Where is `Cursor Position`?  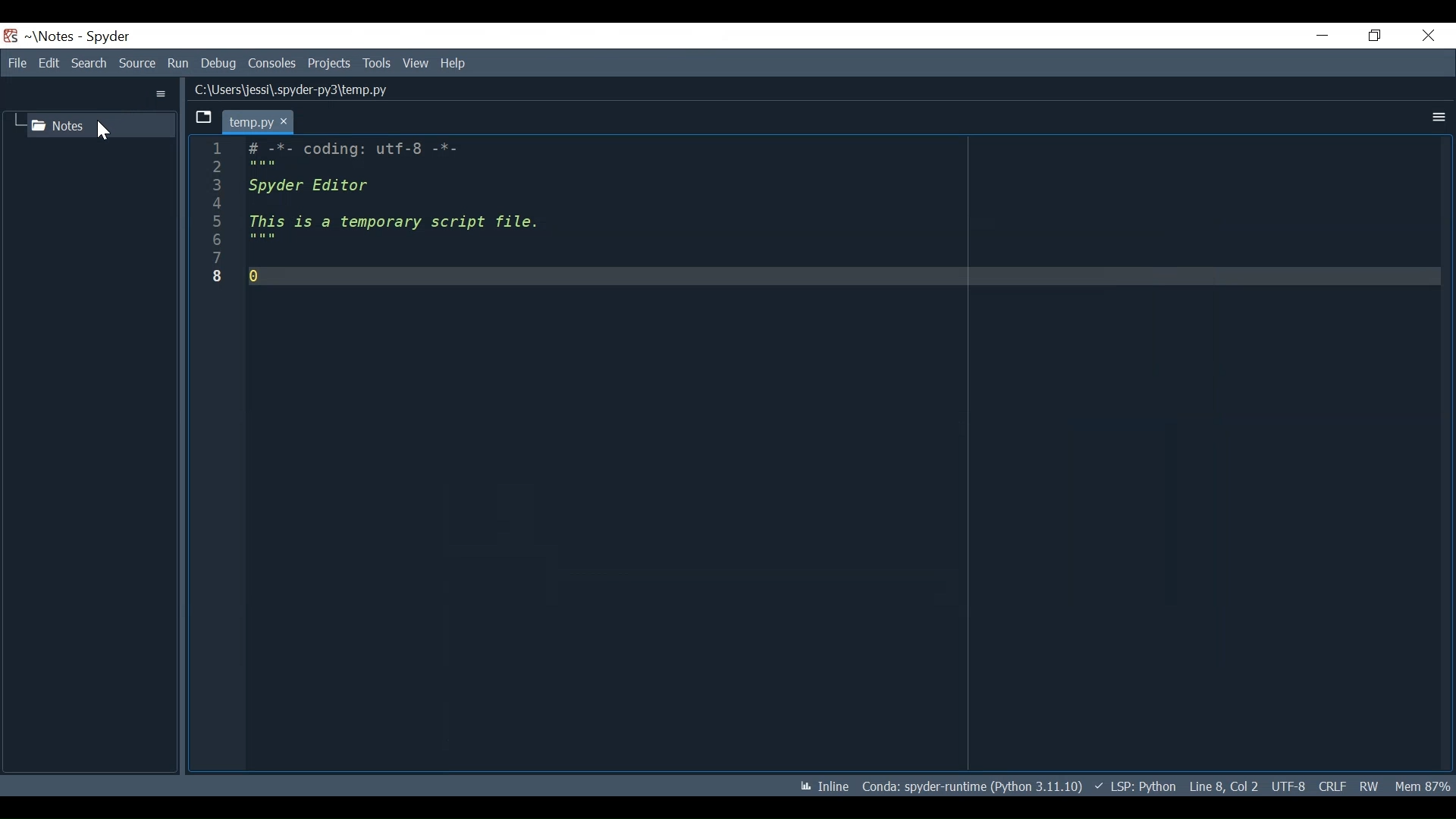
Cursor Position is located at coordinates (1223, 786).